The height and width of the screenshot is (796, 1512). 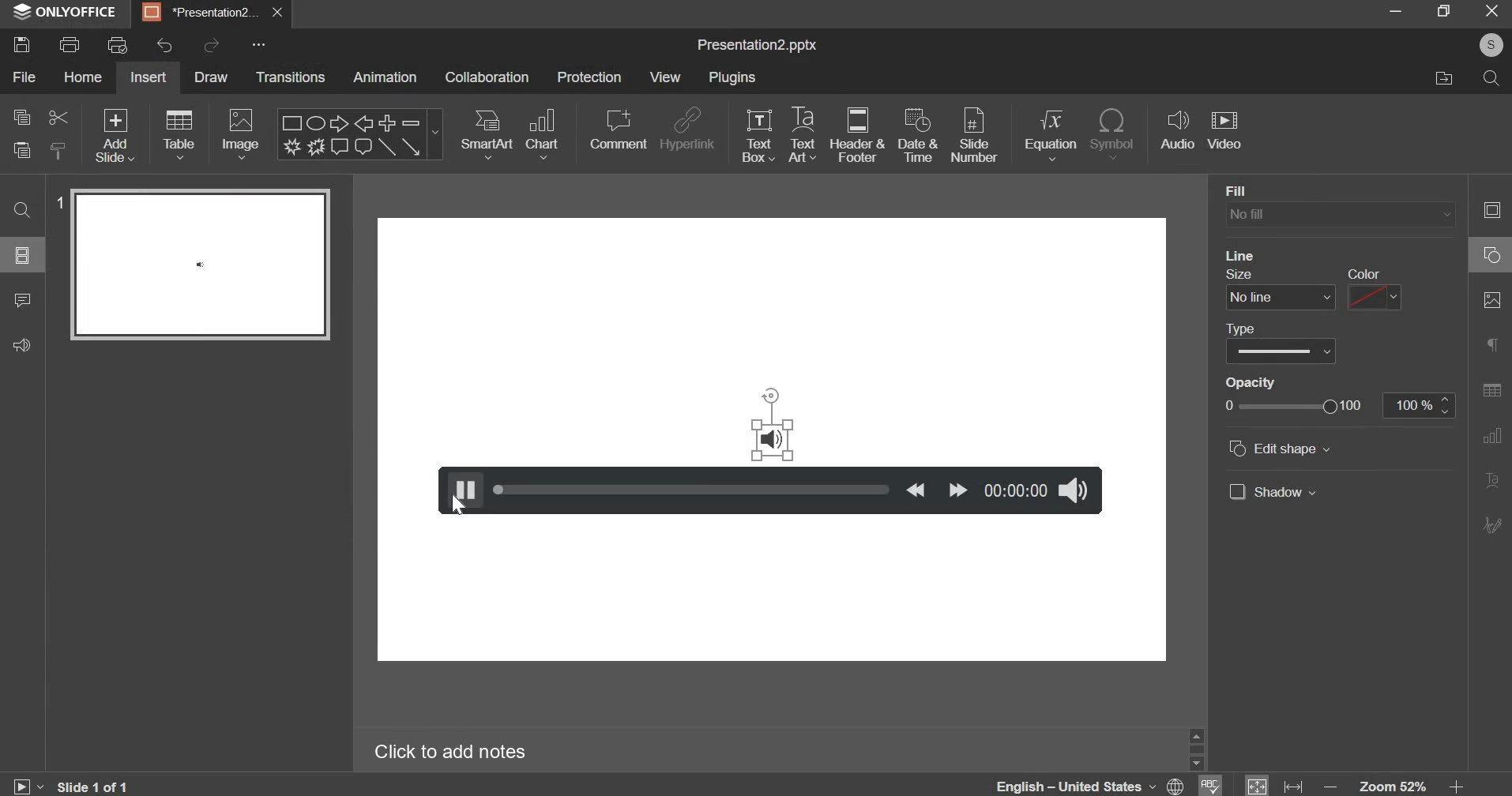 I want to click on text box, so click(x=758, y=133).